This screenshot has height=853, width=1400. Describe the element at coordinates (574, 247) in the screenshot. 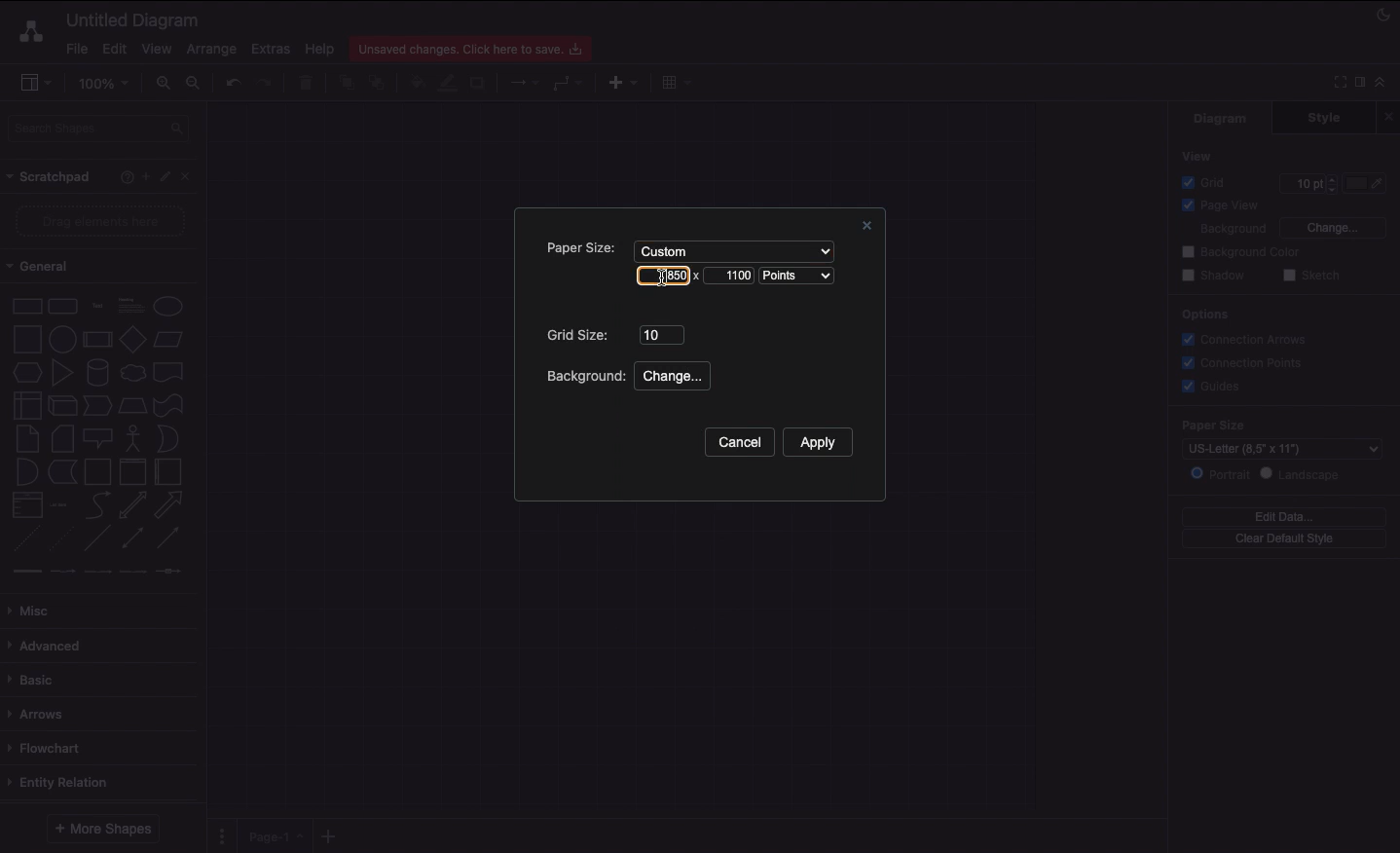

I see `Paper size` at that location.